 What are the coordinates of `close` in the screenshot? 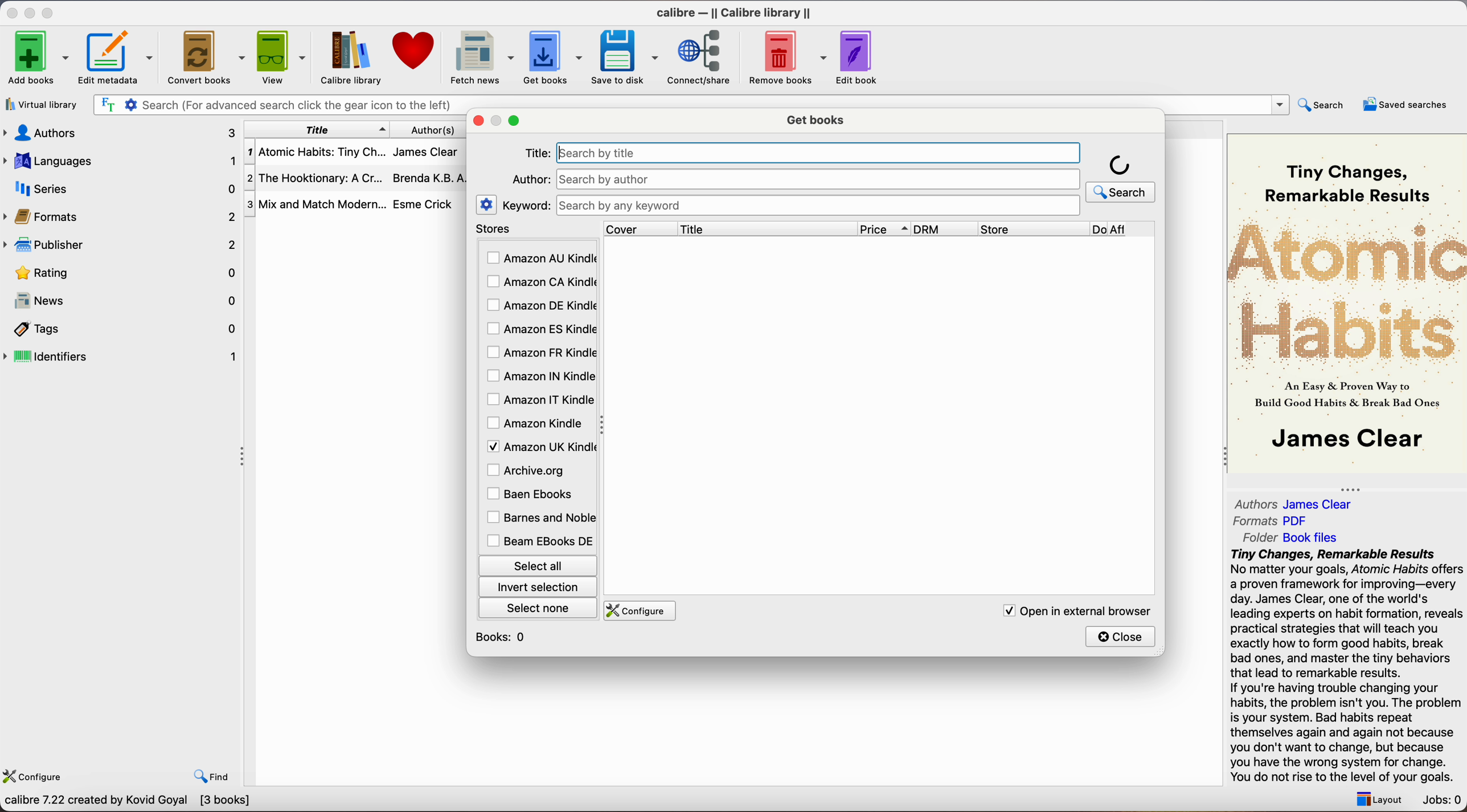 It's located at (1121, 636).